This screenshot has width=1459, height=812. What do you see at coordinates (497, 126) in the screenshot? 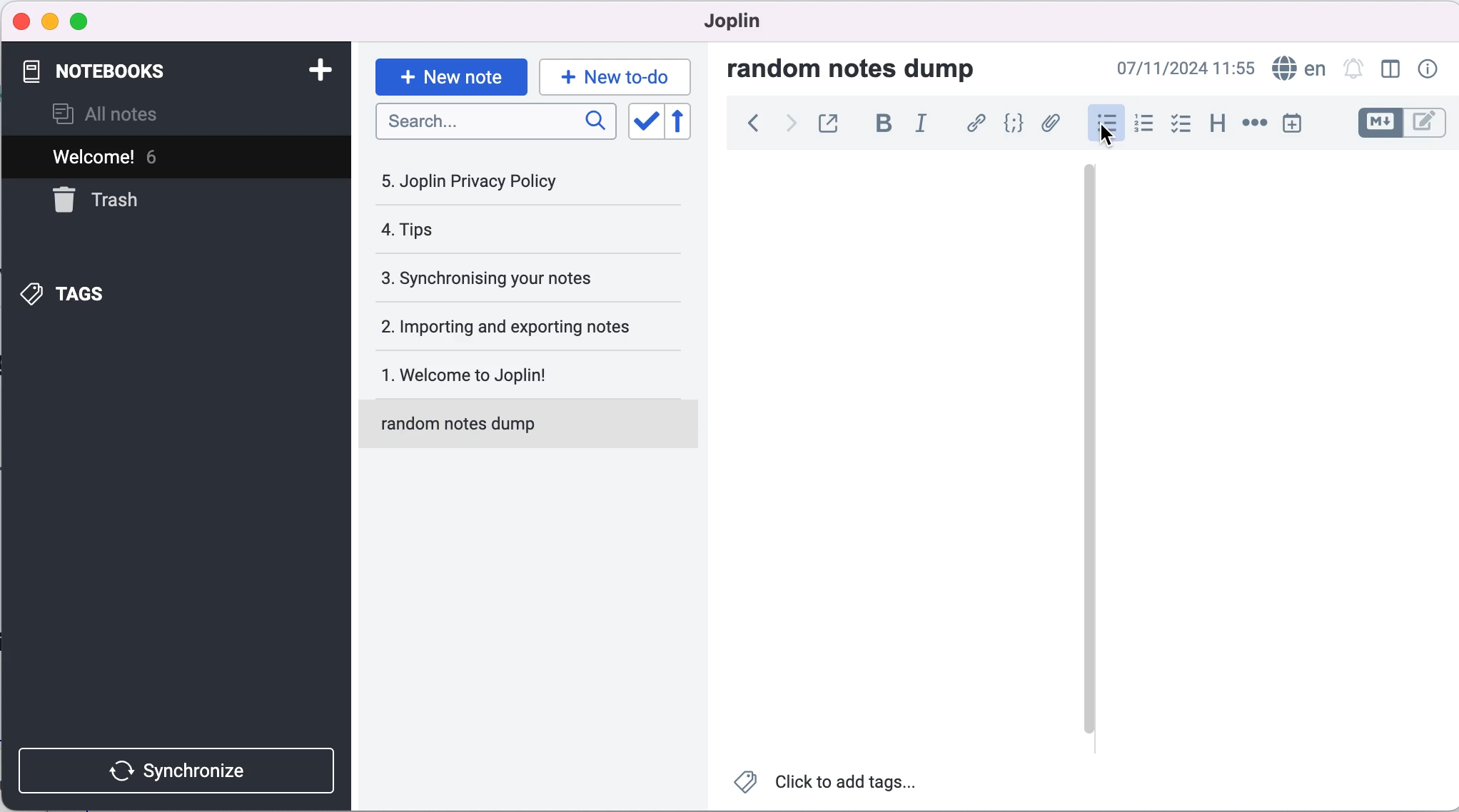
I see `search` at bounding box center [497, 126].